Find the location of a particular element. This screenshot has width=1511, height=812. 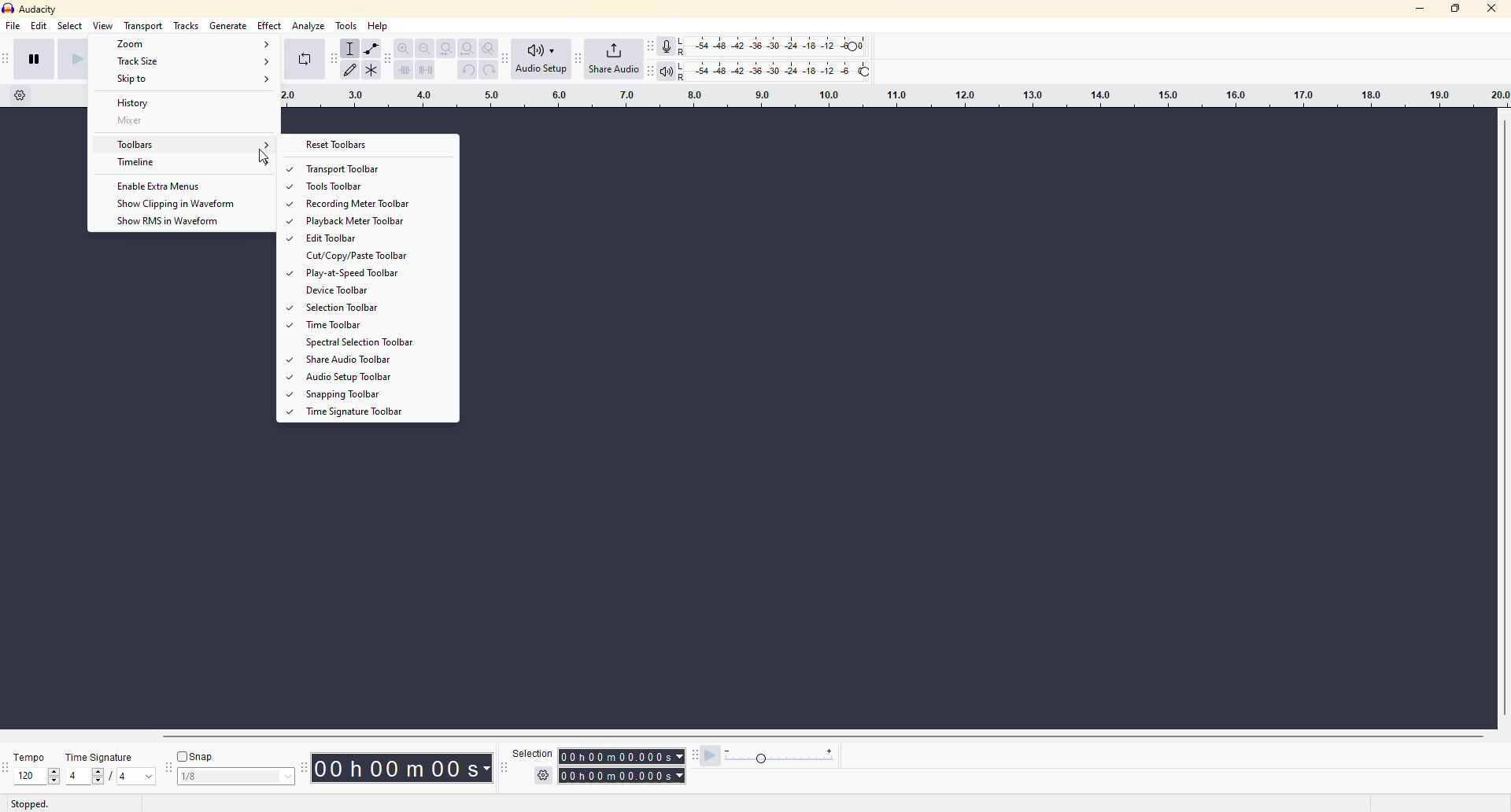

time signature toolbar is located at coordinates (353, 415).